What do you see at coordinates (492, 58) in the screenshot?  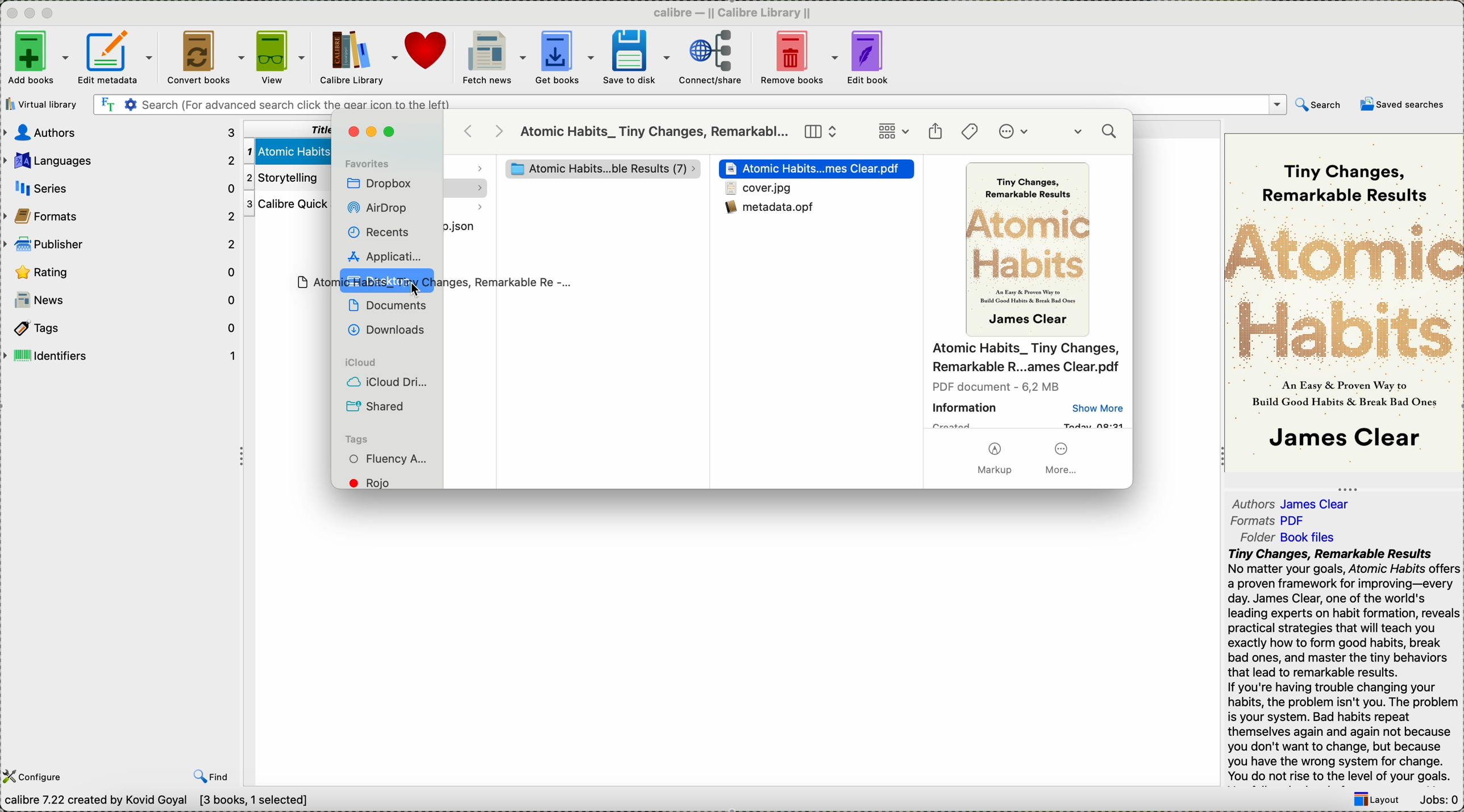 I see `fetch news` at bounding box center [492, 58].